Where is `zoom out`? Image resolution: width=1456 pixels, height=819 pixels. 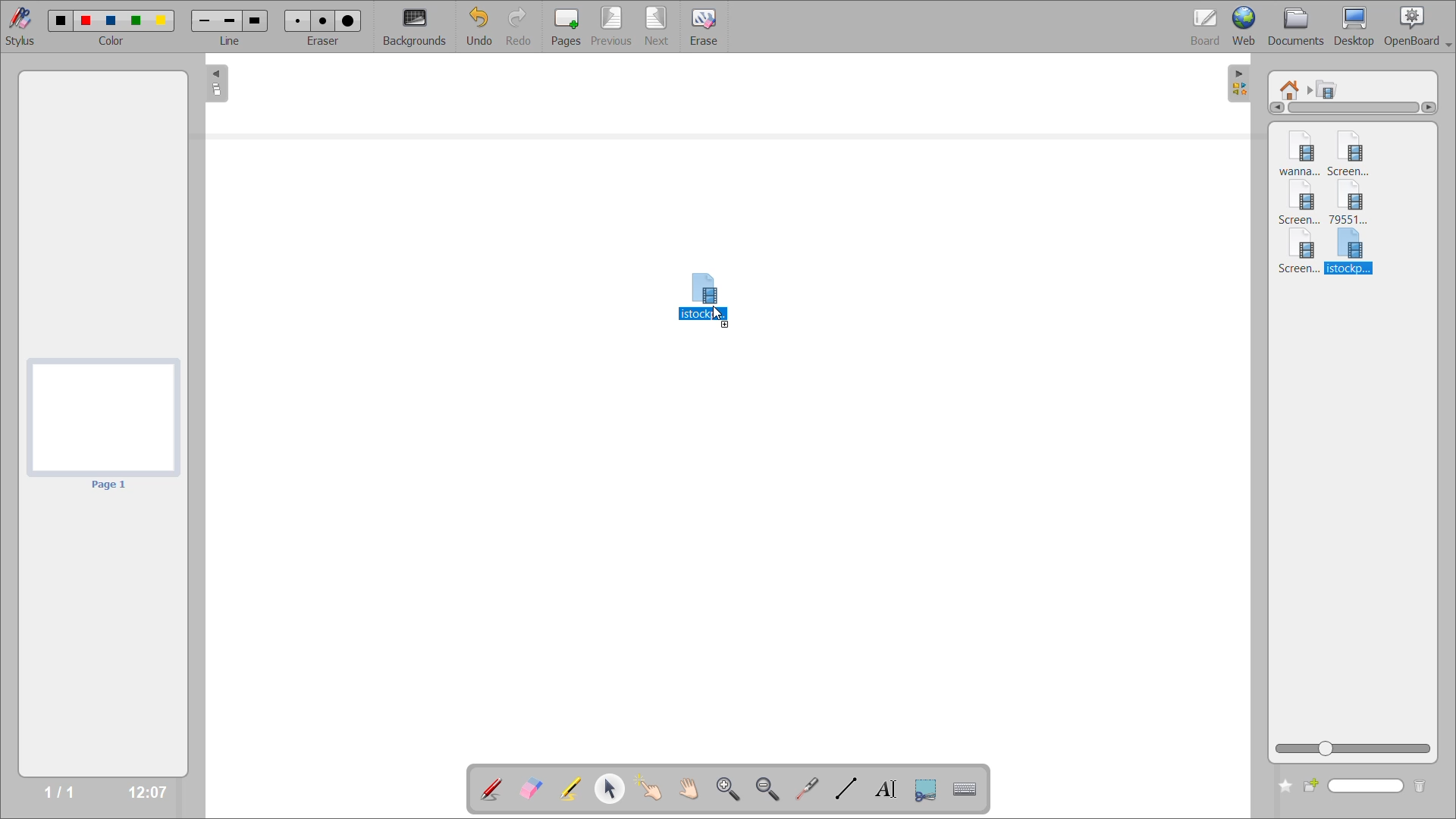 zoom out is located at coordinates (769, 789).